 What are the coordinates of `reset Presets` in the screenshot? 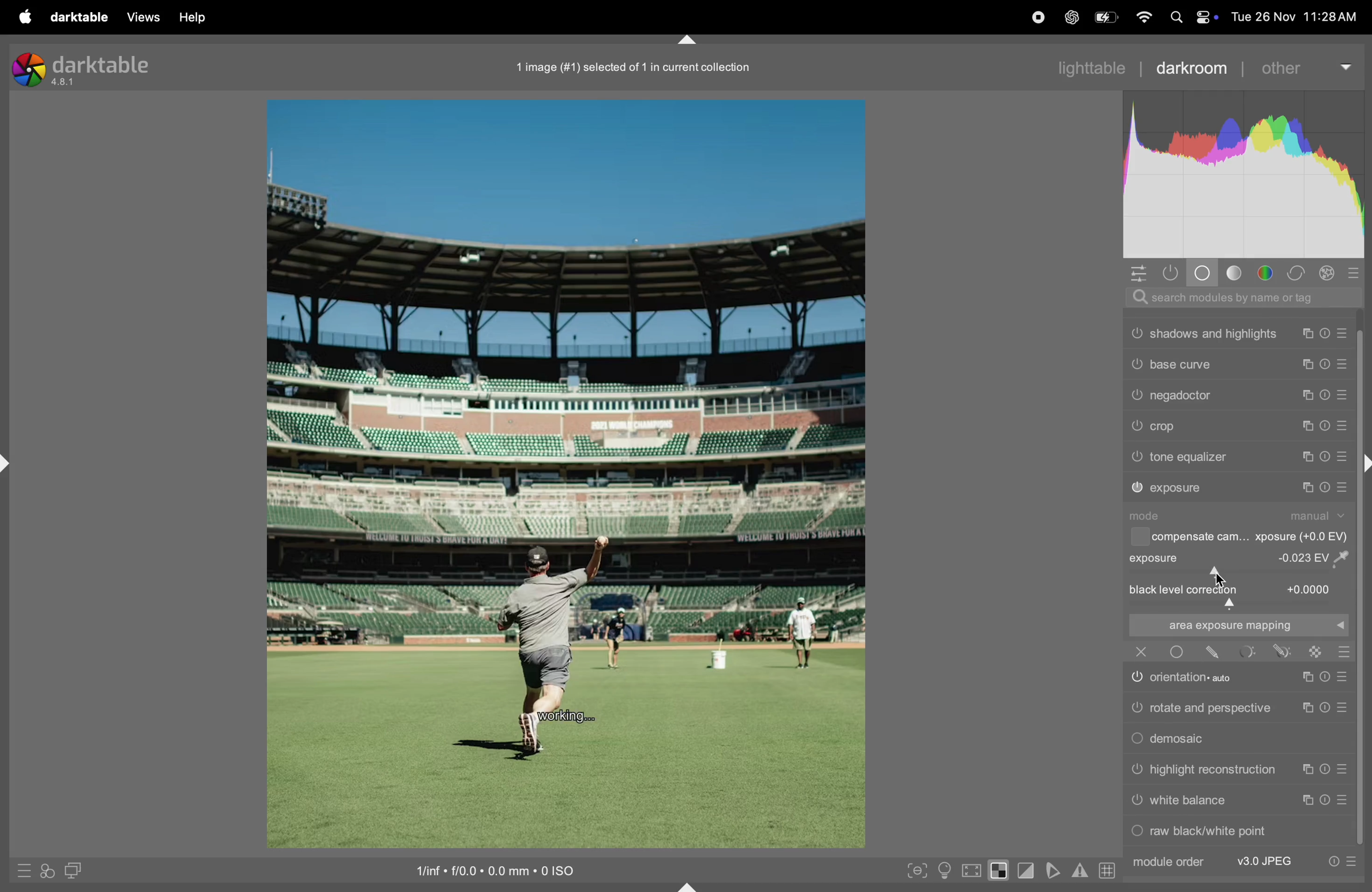 It's located at (1332, 862).